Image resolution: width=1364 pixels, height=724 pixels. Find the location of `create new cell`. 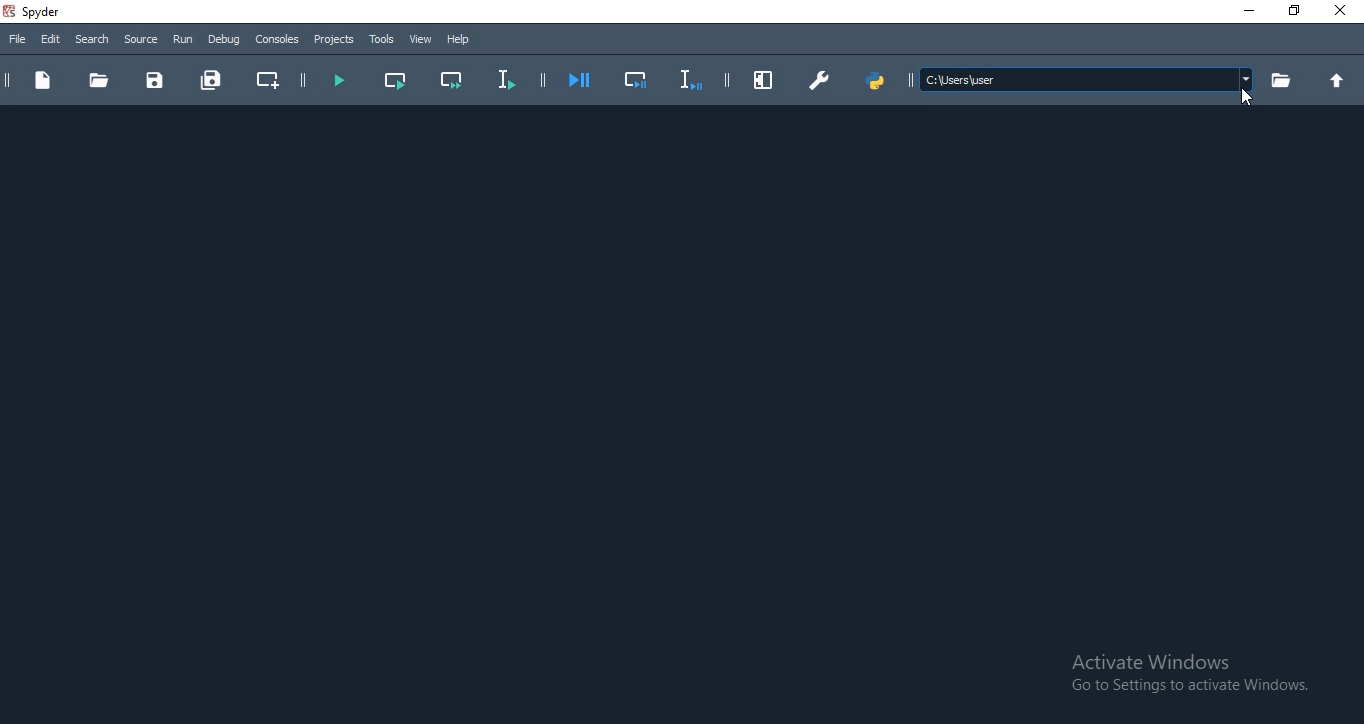

create new cell is located at coordinates (267, 79).